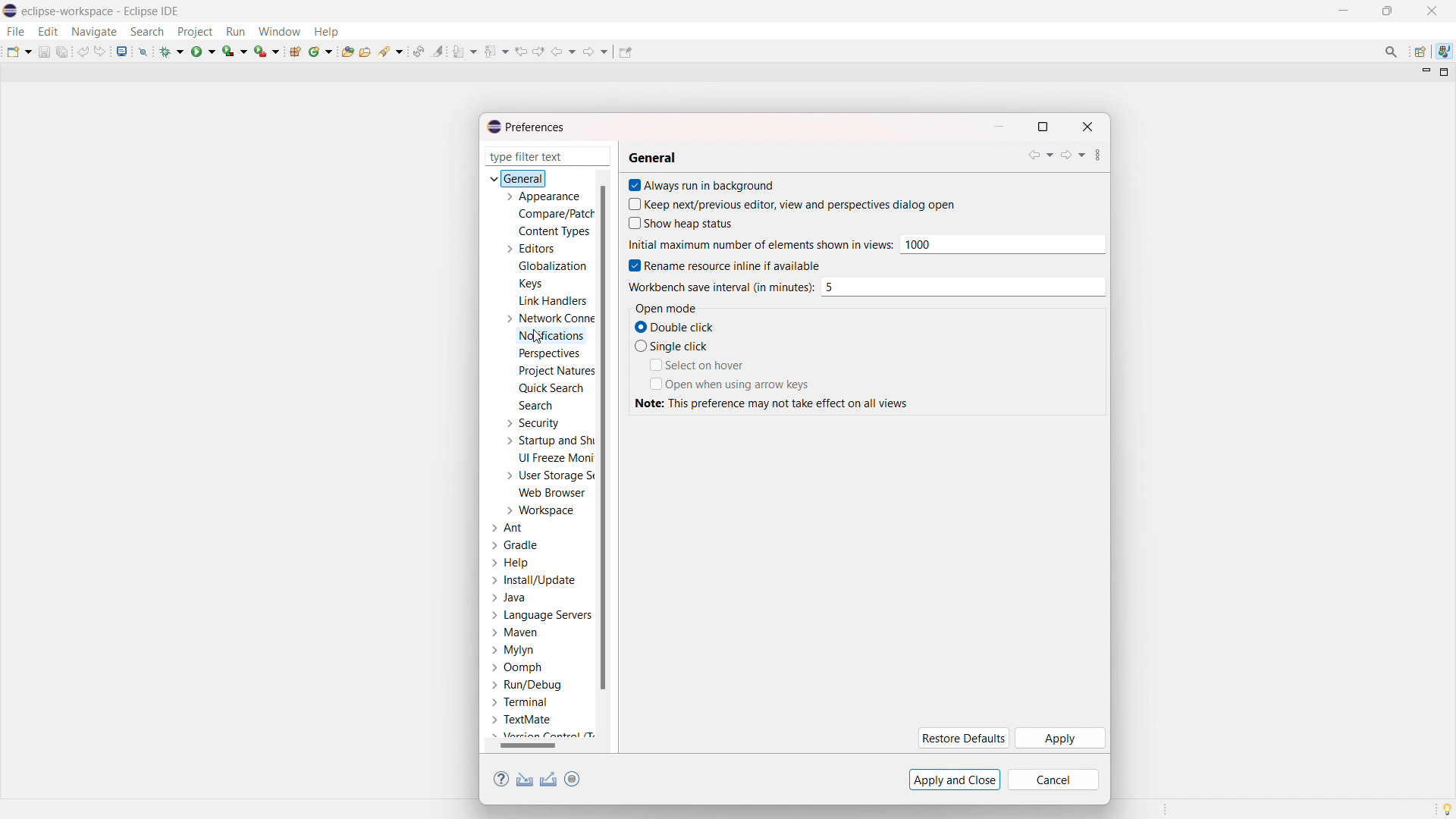  I want to click on mylyn, so click(513, 651).